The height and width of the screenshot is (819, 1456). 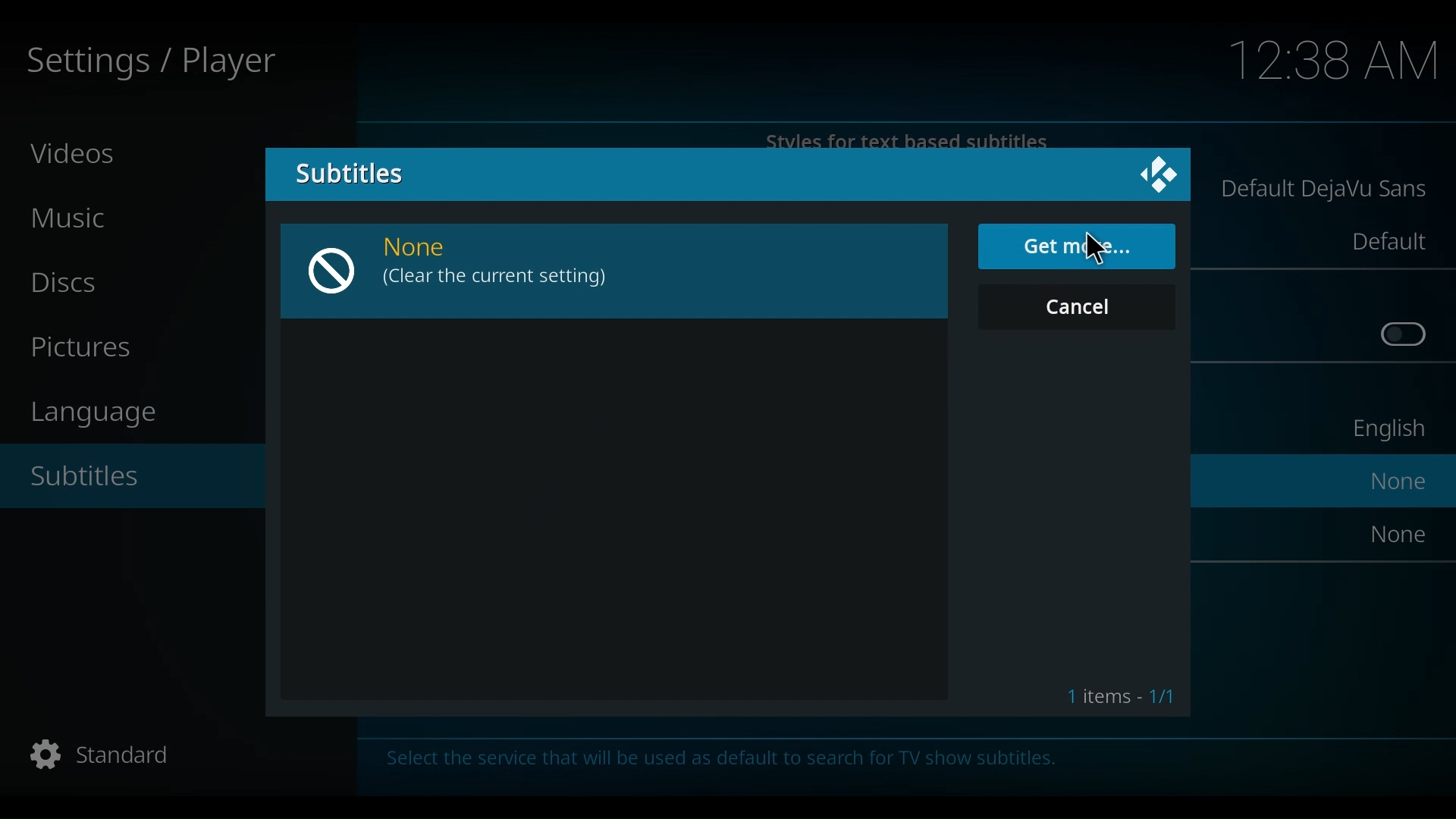 What do you see at coordinates (71, 283) in the screenshot?
I see `Discs` at bounding box center [71, 283].